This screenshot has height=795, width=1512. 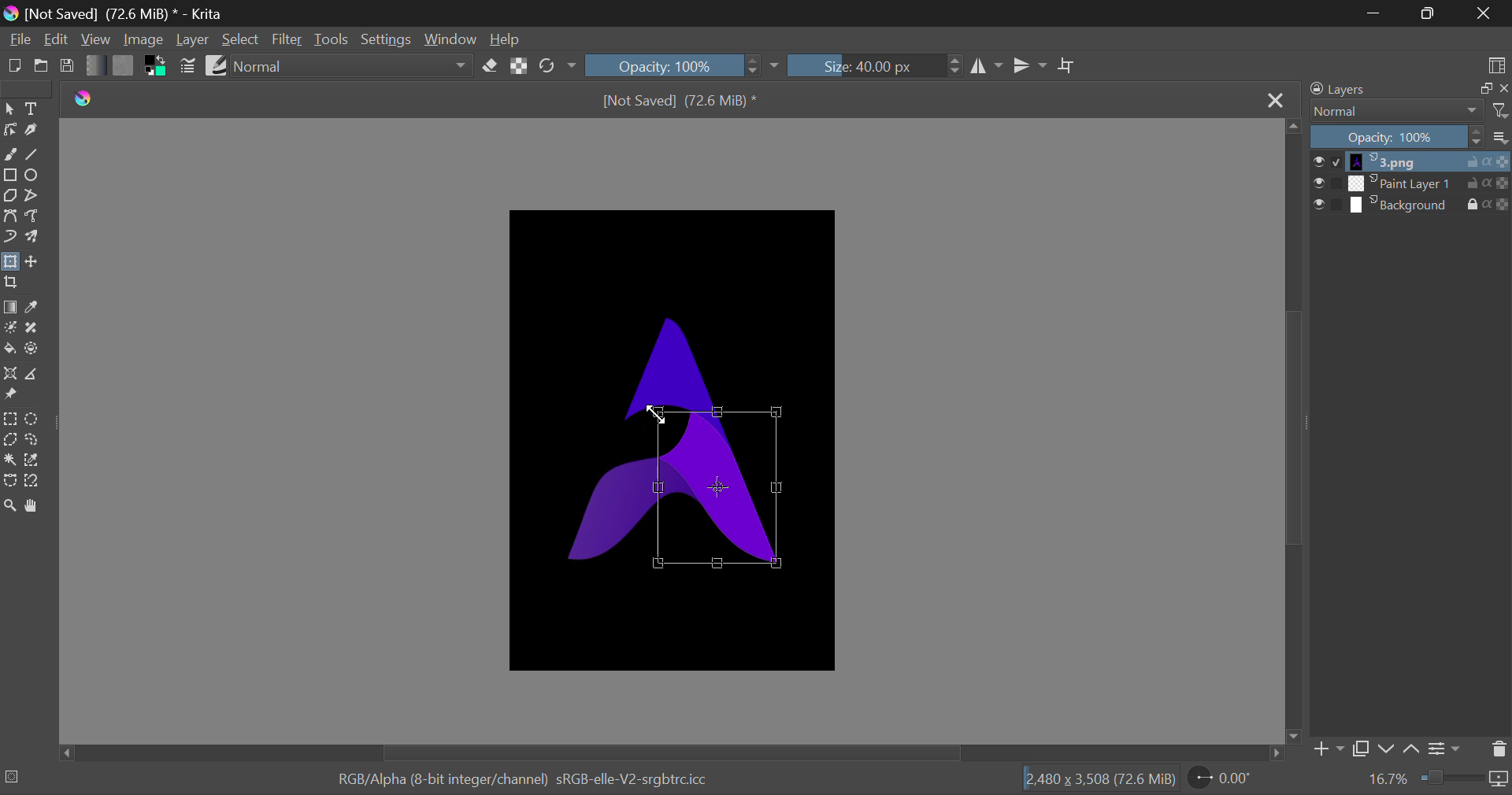 What do you see at coordinates (37, 176) in the screenshot?
I see `Elipses` at bounding box center [37, 176].